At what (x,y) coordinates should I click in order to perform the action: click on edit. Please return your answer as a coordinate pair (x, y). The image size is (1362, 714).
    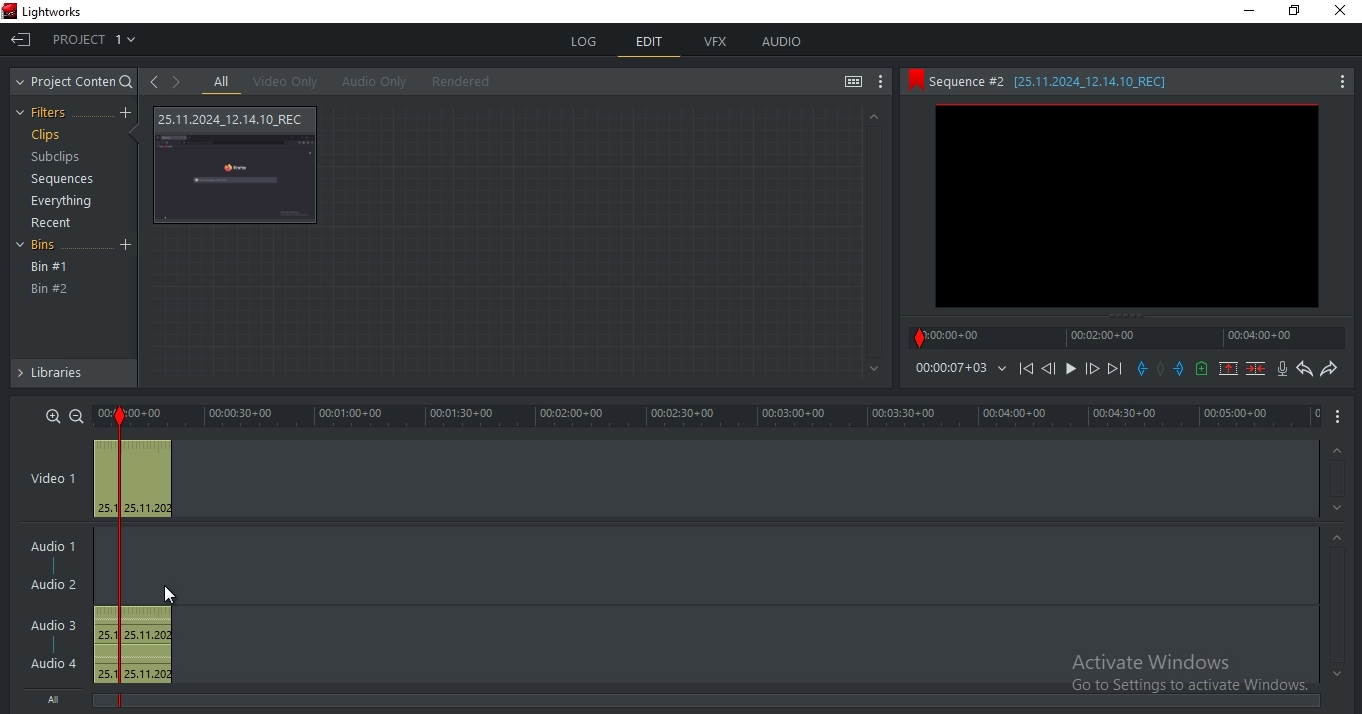
    Looking at the image, I should click on (649, 43).